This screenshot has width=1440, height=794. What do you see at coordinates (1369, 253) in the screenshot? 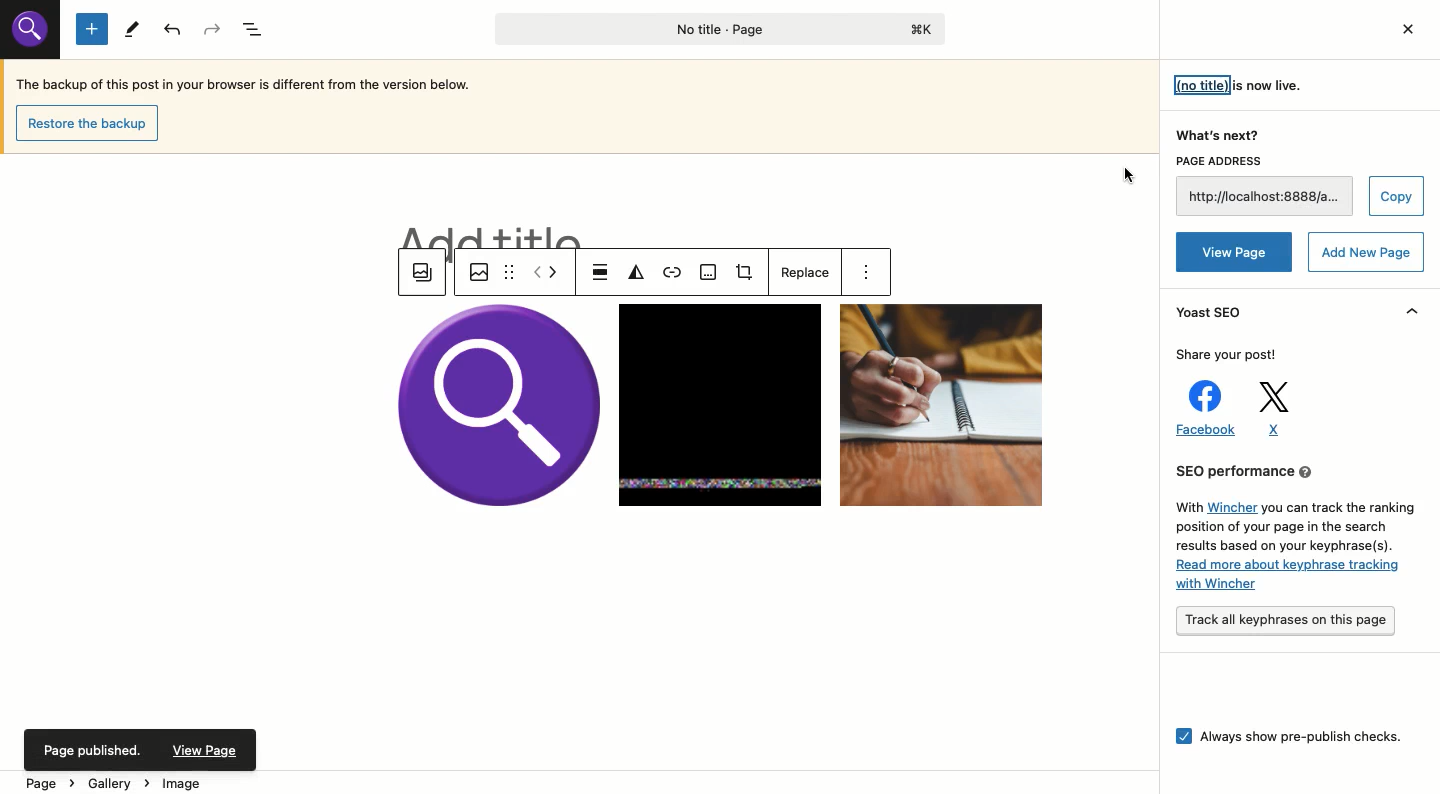
I see `Add new page` at bounding box center [1369, 253].